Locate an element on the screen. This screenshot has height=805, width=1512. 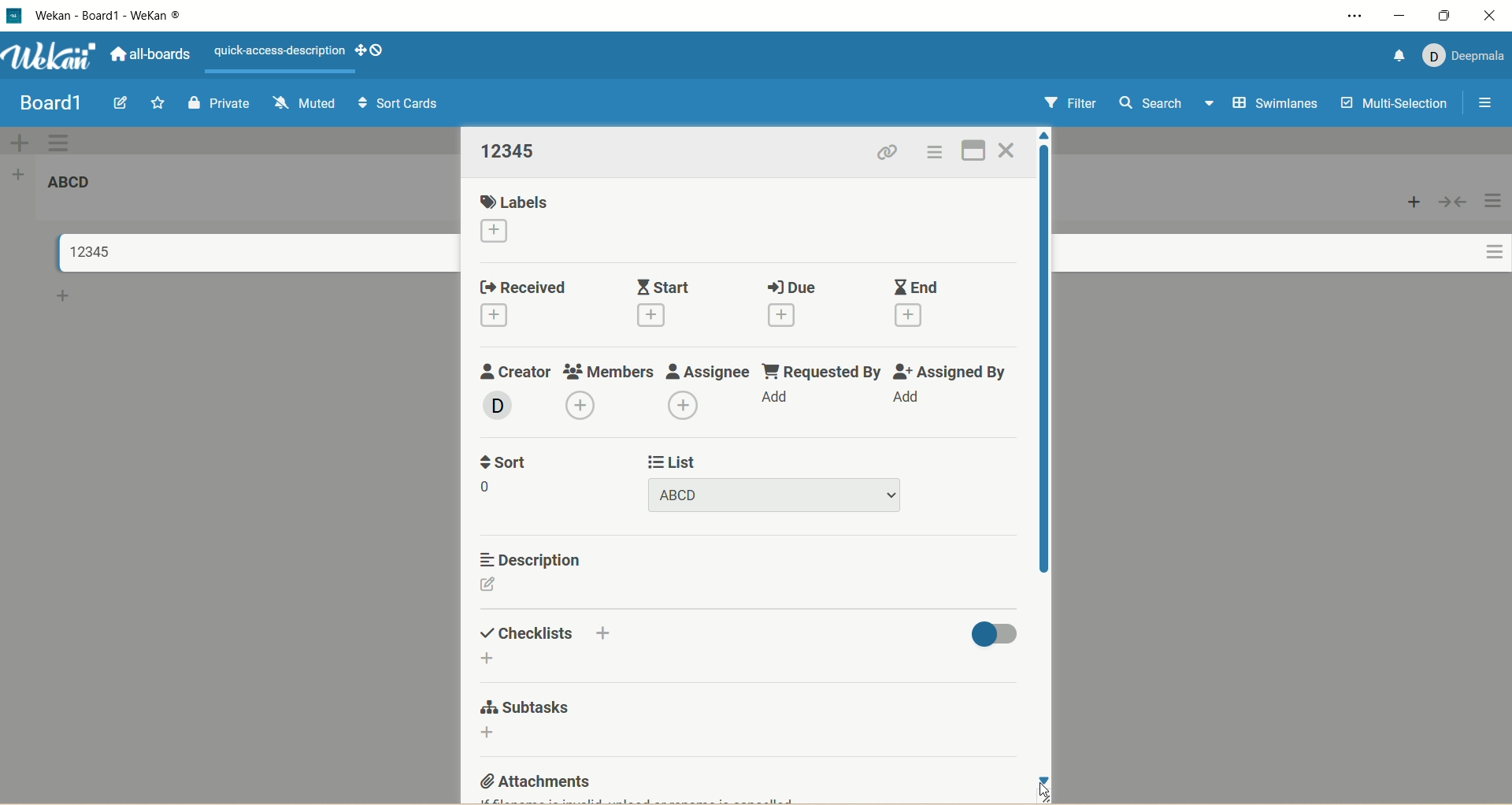
click to scroll up is located at coordinates (1047, 139).